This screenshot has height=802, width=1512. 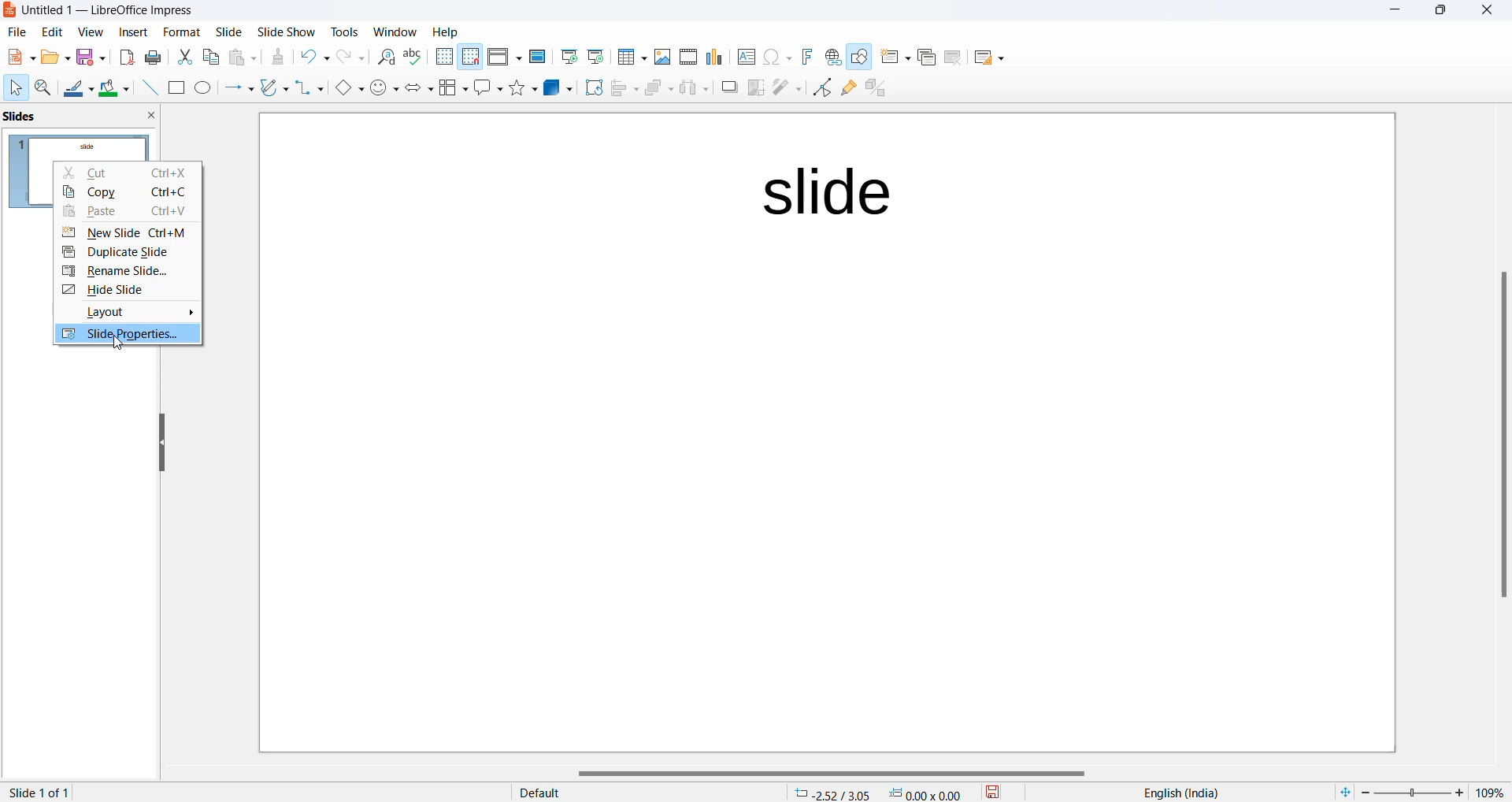 What do you see at coordinates (806, 56) in the screenshot?
I see `insert fontwork text` at bounding box center [806, 56].